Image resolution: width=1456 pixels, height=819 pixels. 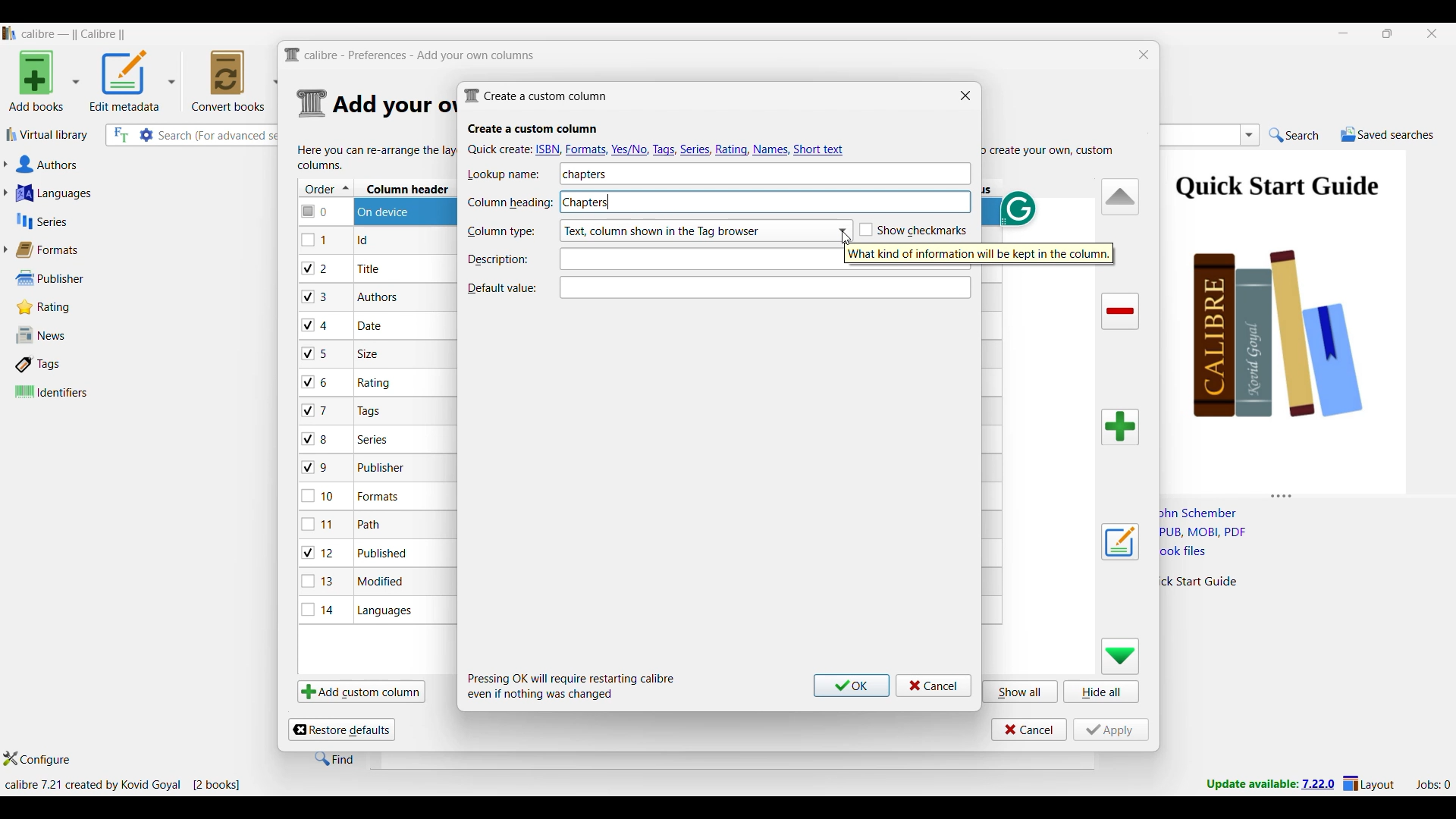 What do you see at coordinates (54, 249) in the screenshot?
I see `Formats` at bounding box center [54, 249].